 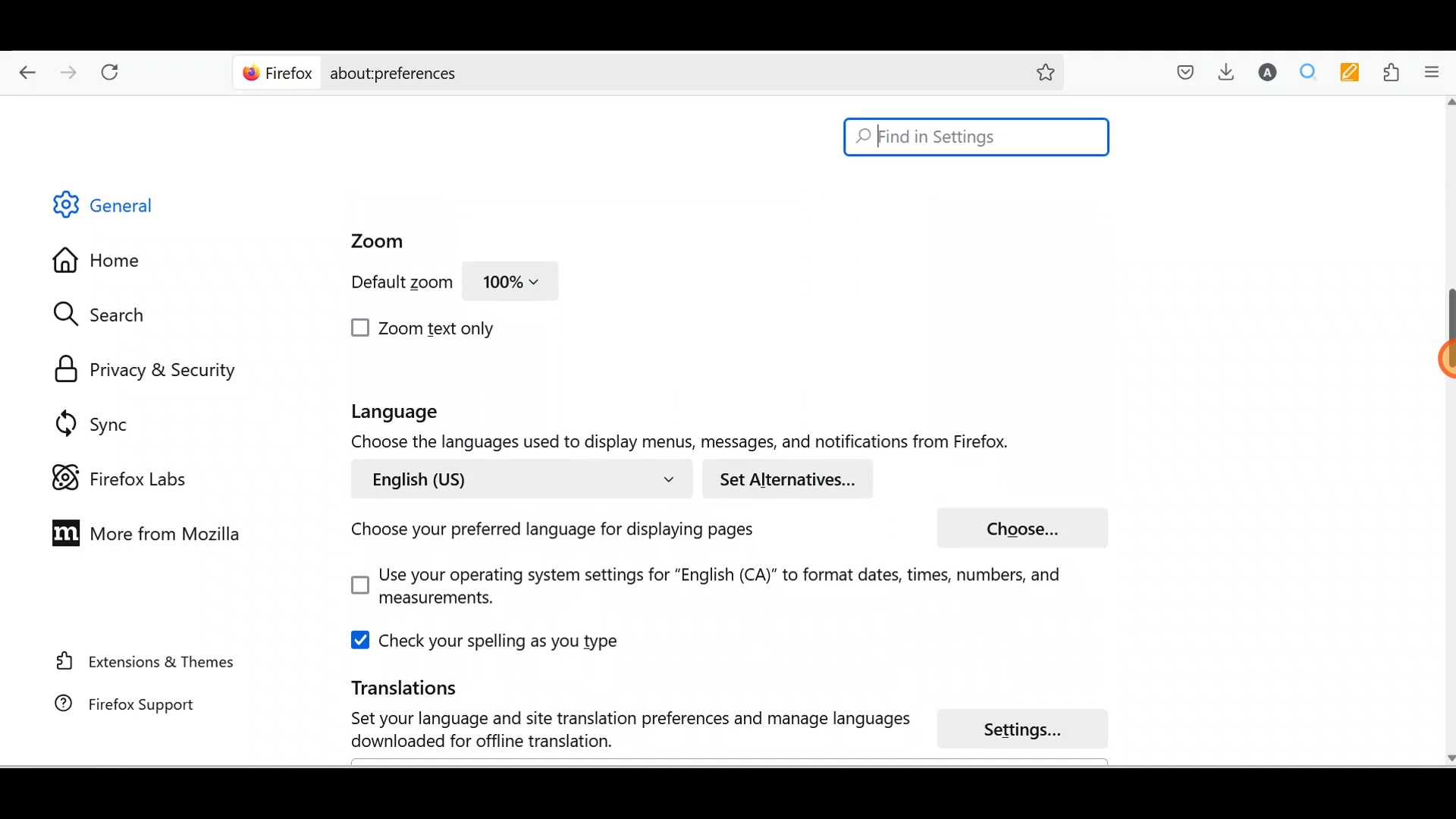 What do you see at coordinates (138, 661) in the screenshot?
I see `Extension & Themes` at bounding box center [138, 661].